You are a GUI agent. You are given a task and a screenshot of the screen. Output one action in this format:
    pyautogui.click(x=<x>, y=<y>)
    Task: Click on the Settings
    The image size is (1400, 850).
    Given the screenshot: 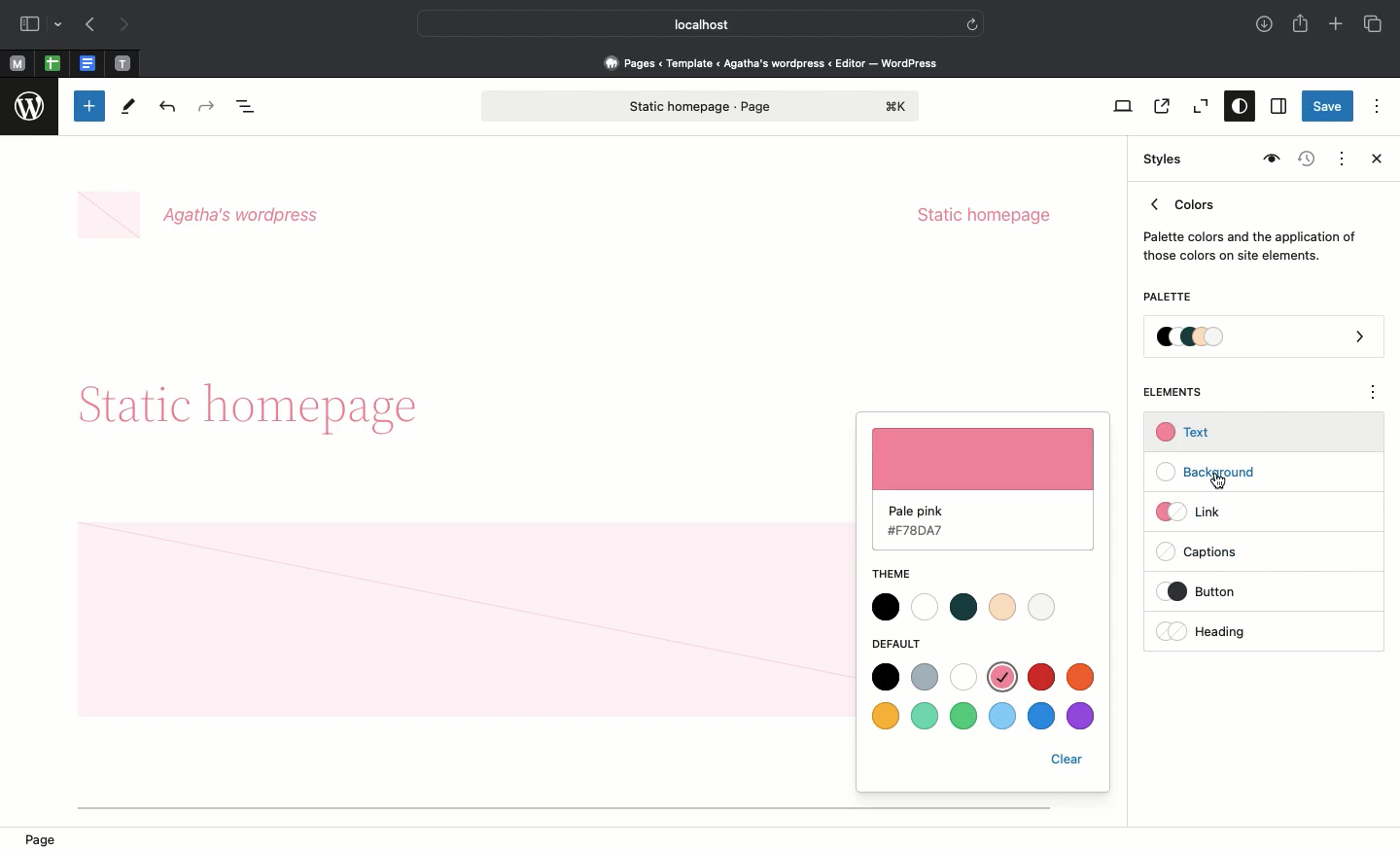 What is the action you would take?
    pyautogui.click(x=1277, y=107)
    